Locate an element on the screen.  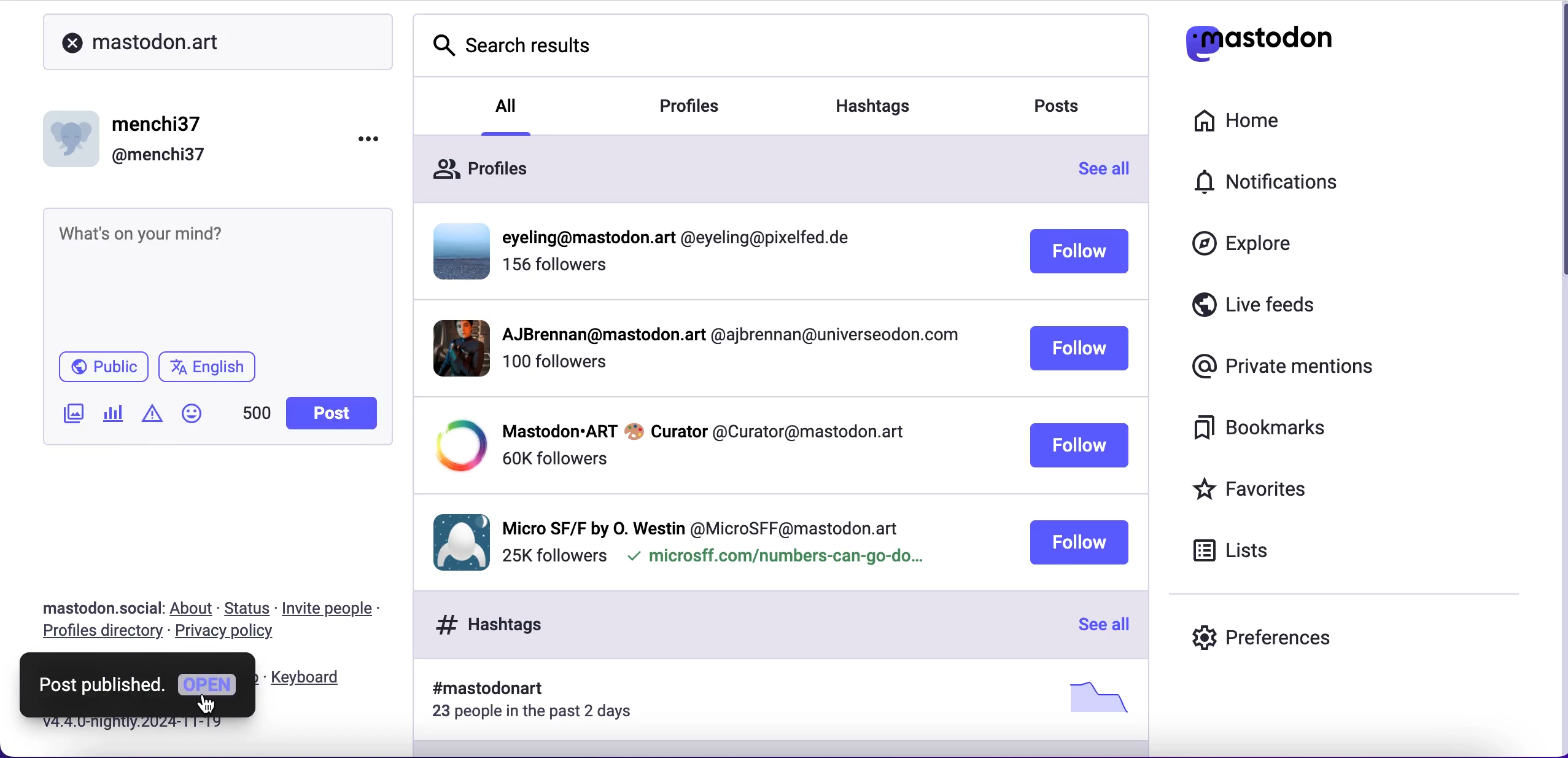
see all is located at coordinates (1111, 173).